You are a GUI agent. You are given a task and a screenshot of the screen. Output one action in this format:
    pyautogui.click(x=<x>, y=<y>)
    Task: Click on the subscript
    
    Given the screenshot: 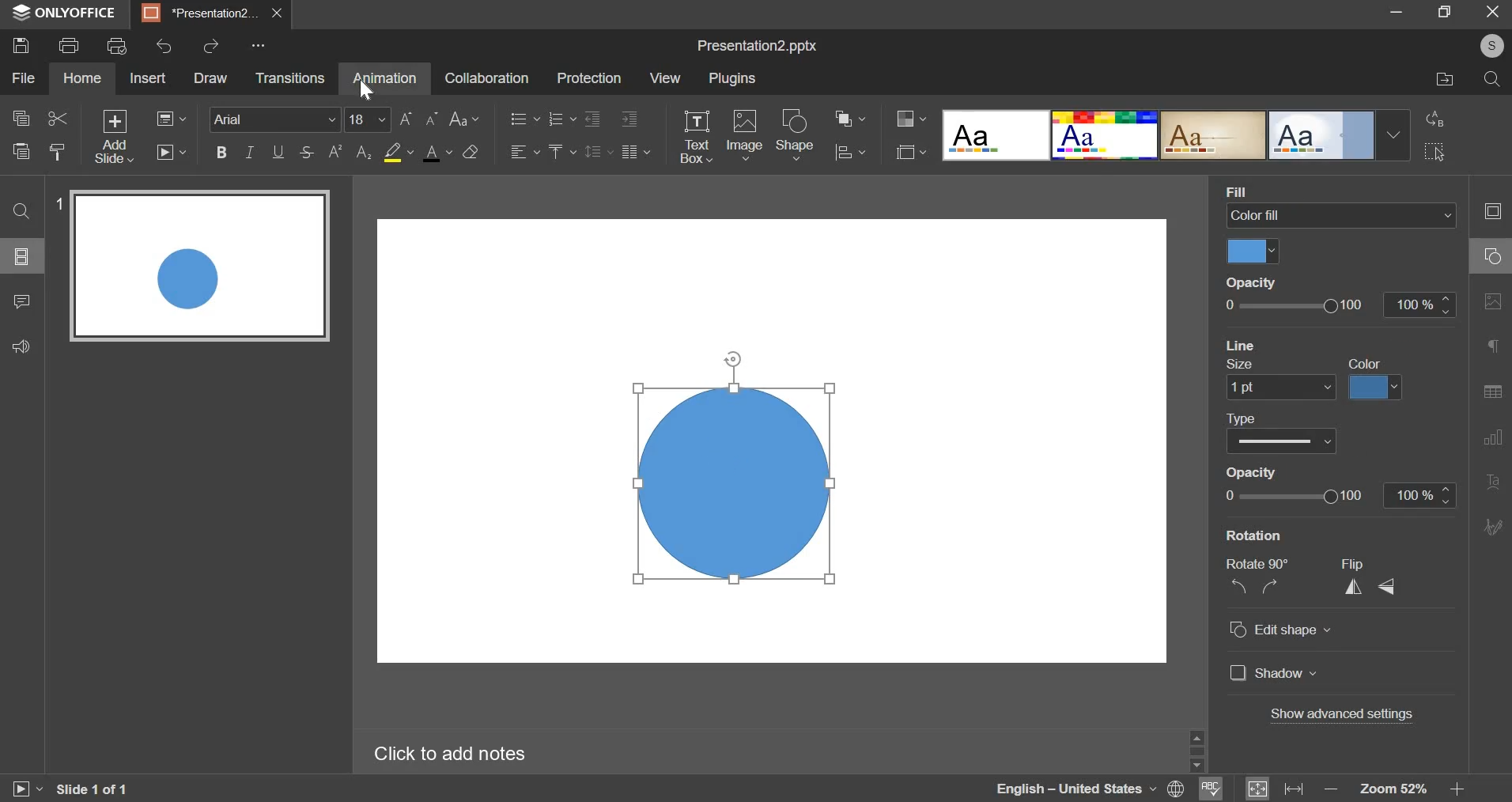 What is the action you would take?
    pyautogui.click(x=364, y=153)
    